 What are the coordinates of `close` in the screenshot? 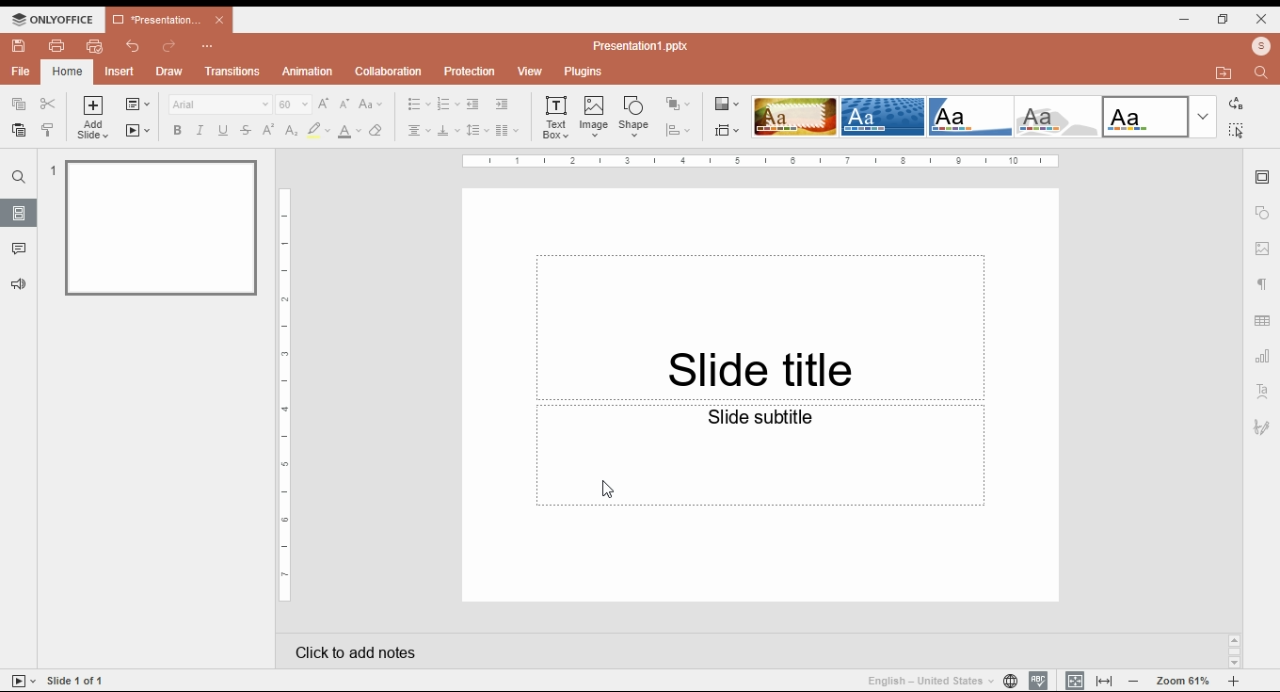 It's located at (1262, 18).